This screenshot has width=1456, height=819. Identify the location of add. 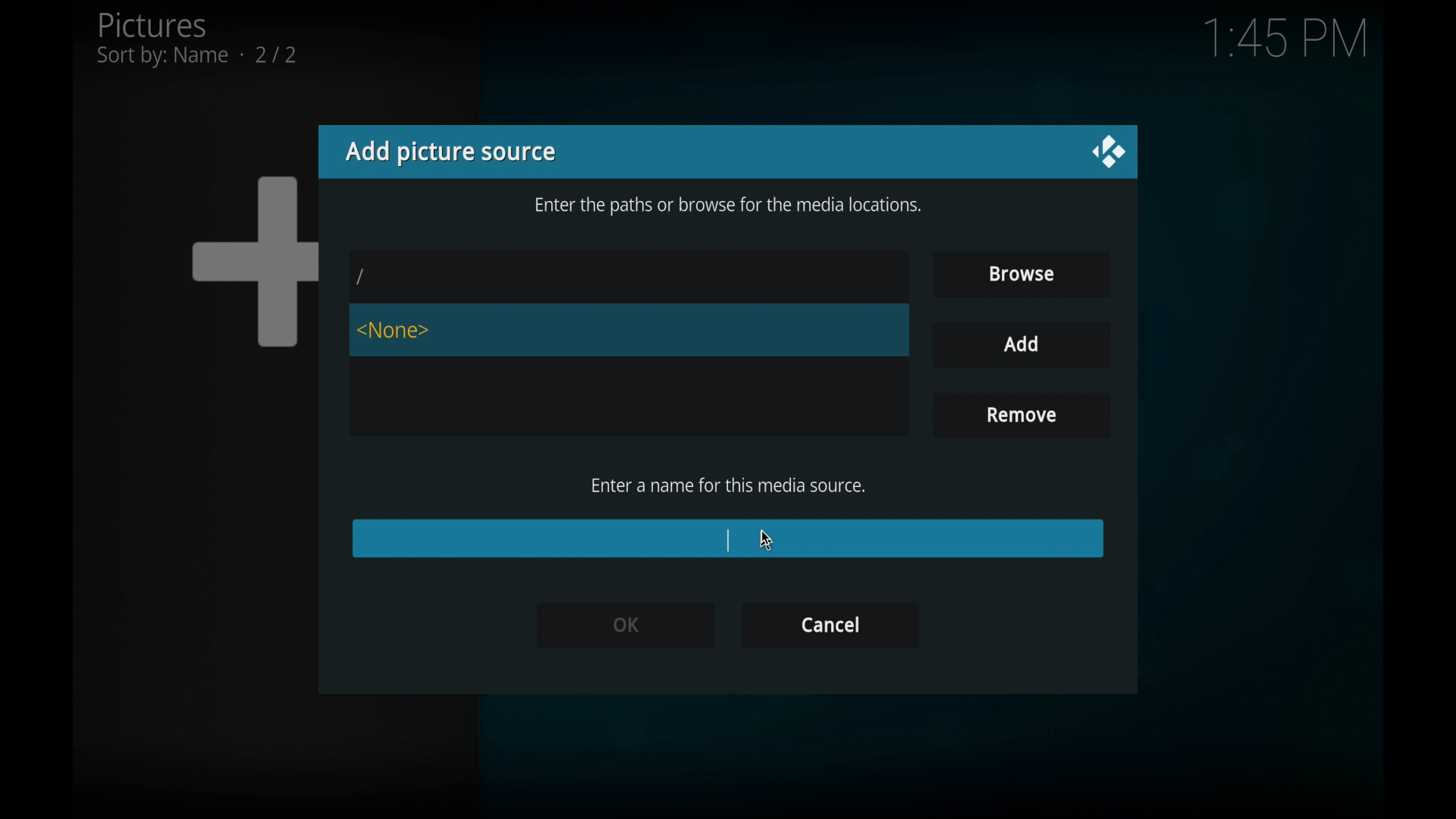
(1021, 345).